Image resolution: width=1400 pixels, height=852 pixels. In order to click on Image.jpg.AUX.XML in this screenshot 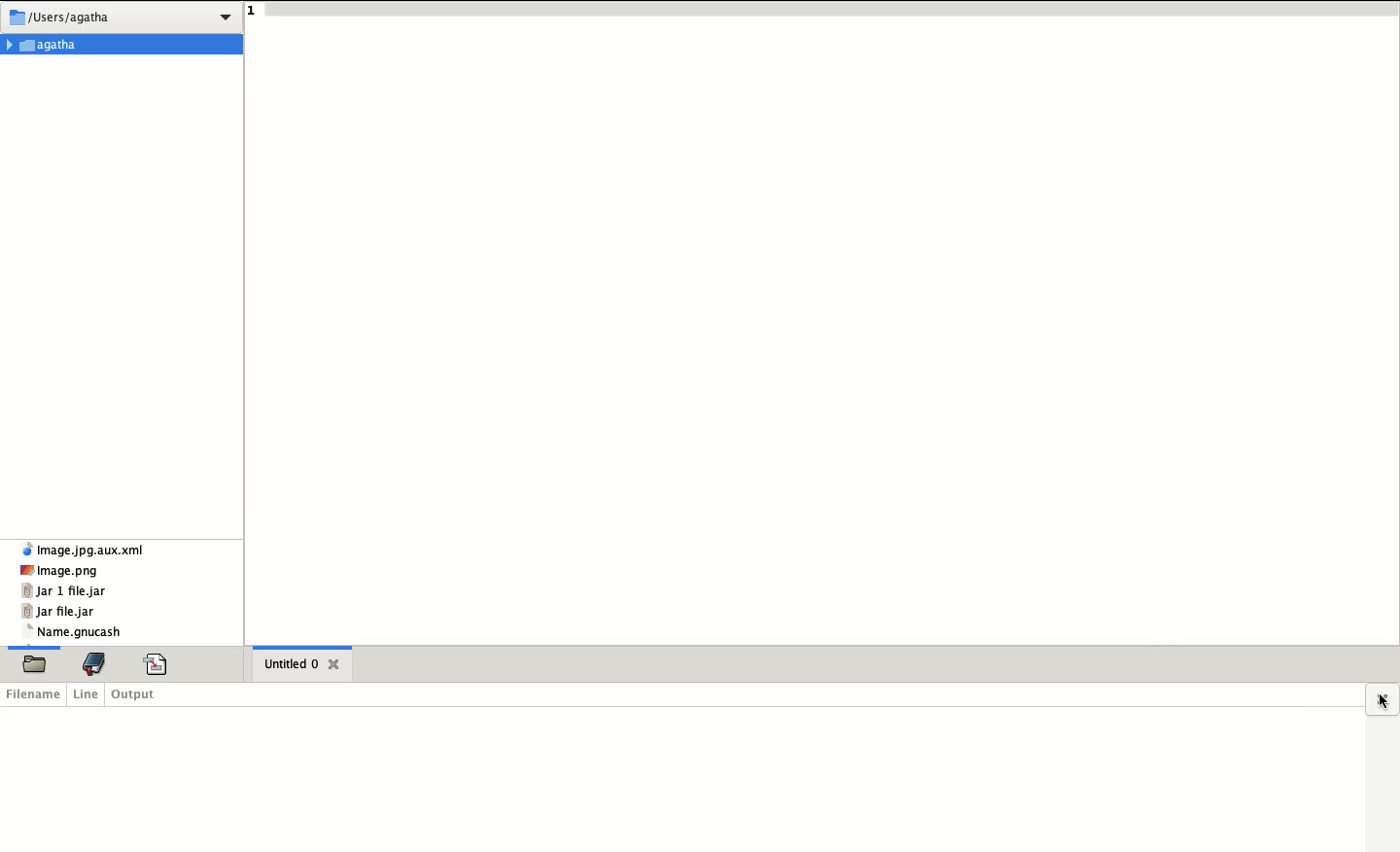, I will do `click(85, 550)`.